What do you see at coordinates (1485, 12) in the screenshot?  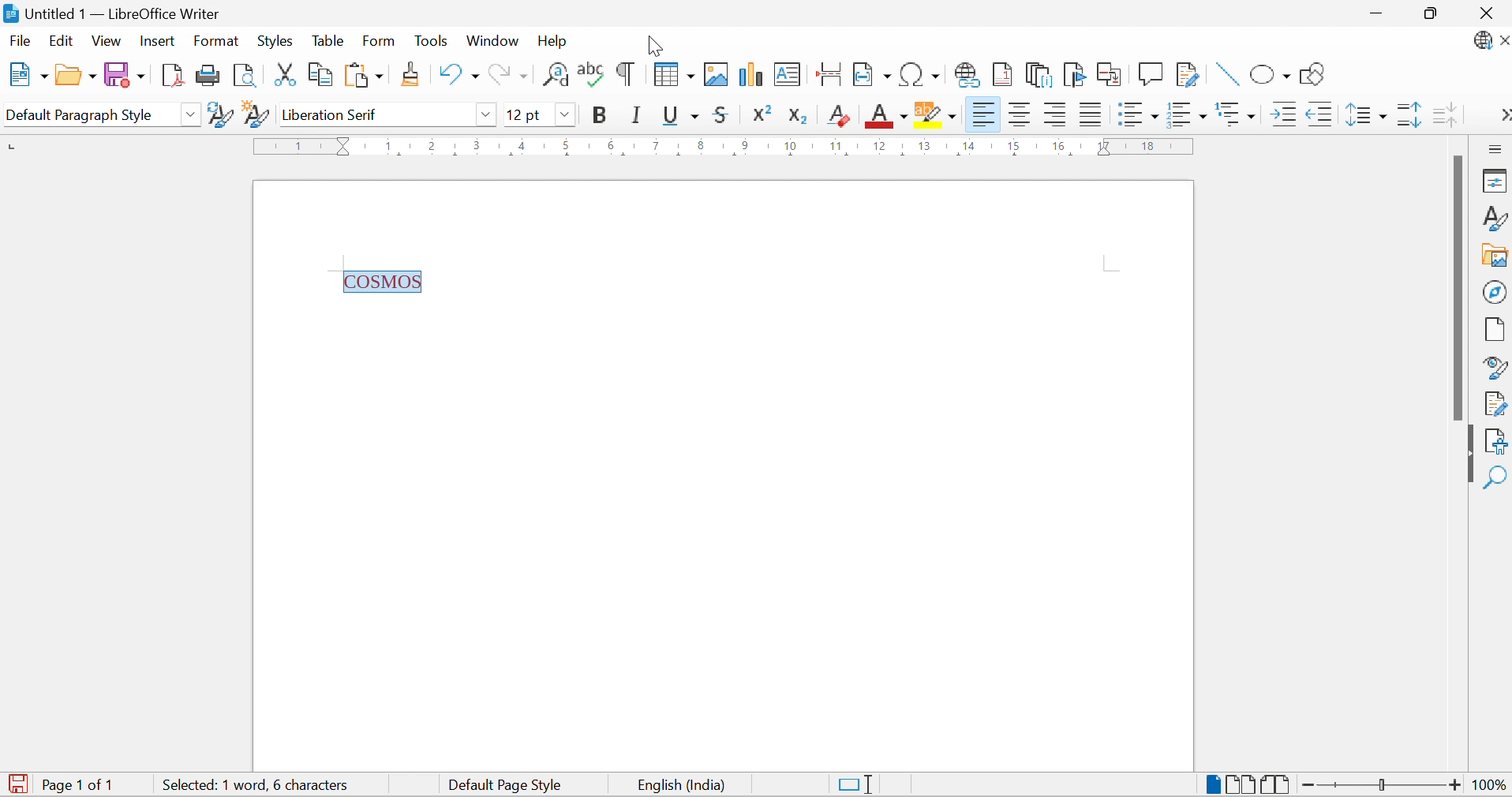 I see `Close` at bounding box center [1485, 12].